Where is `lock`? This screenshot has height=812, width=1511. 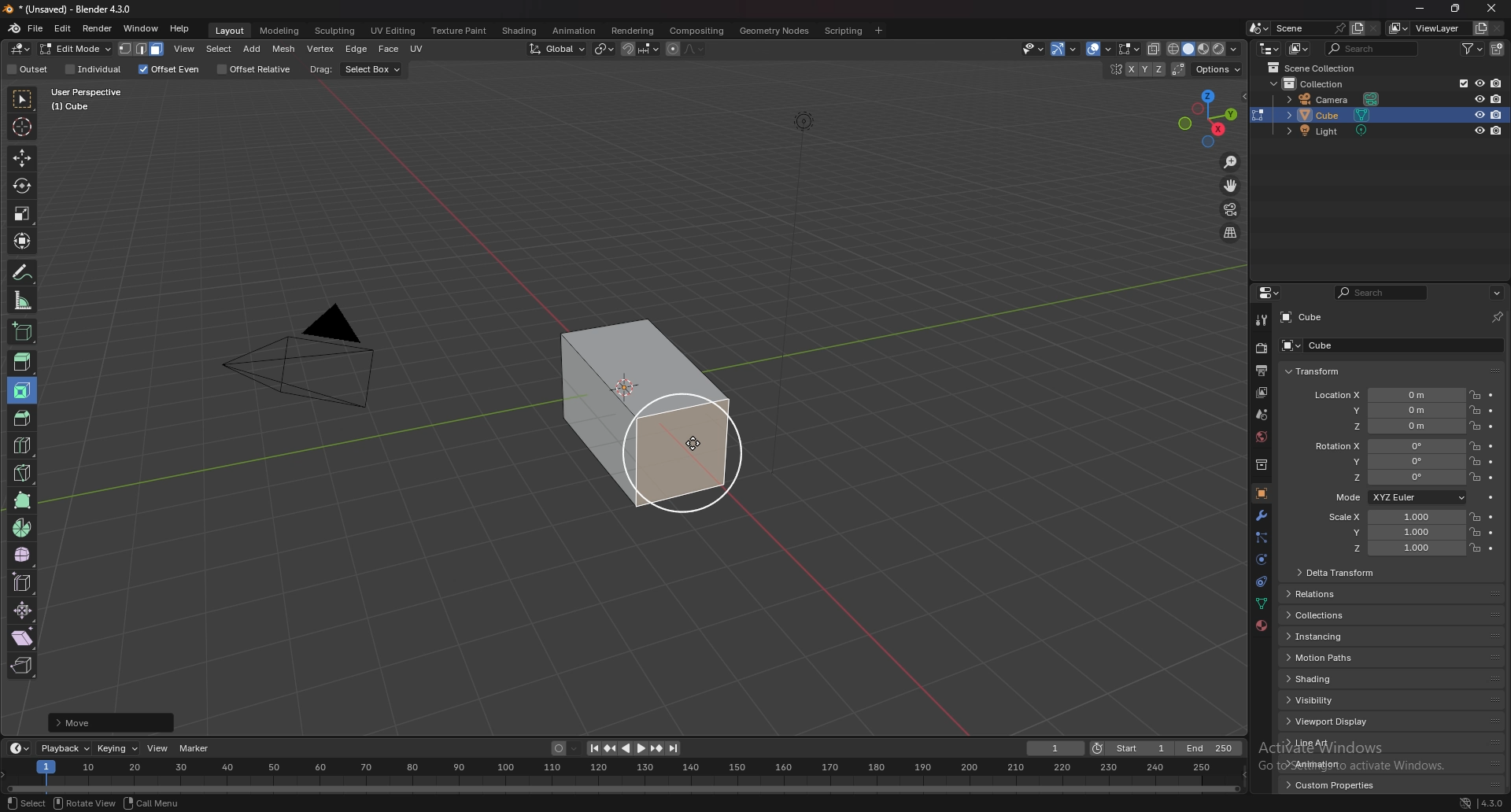 lock is located at coordinates (1474, 532).